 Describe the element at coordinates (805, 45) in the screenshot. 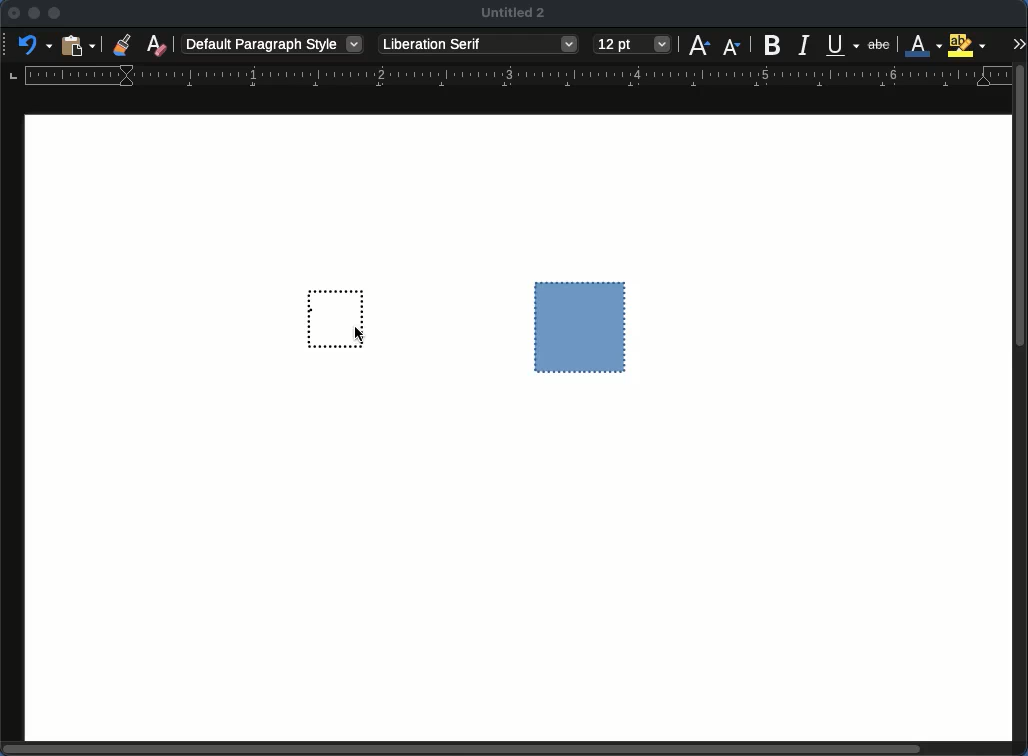

I see `italics` at that location.